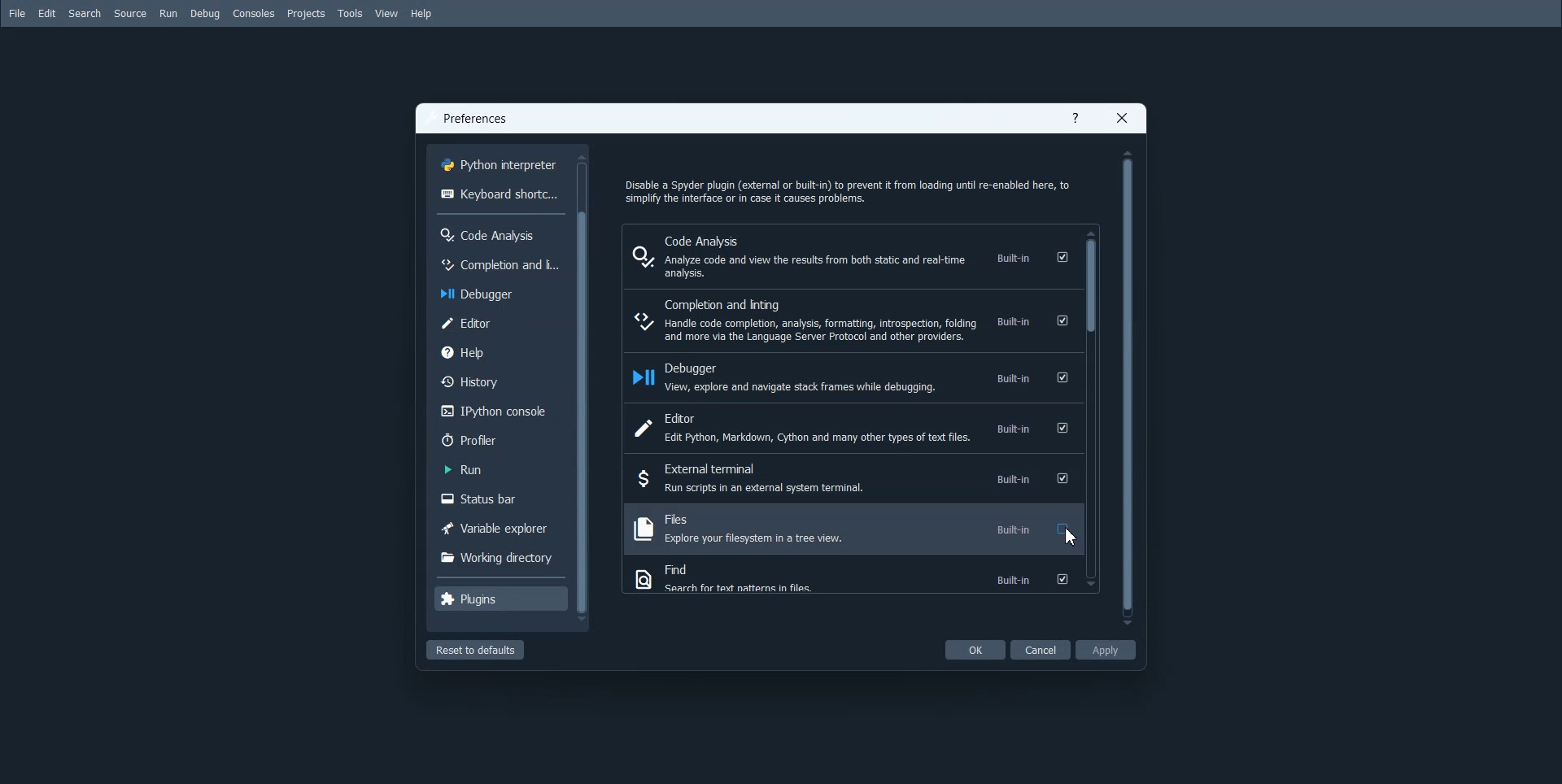 The width and height of the screenshot is (1562, 784). Describe the element at coordinates (477, 120) in the screenshot. I see `Text` at that location.